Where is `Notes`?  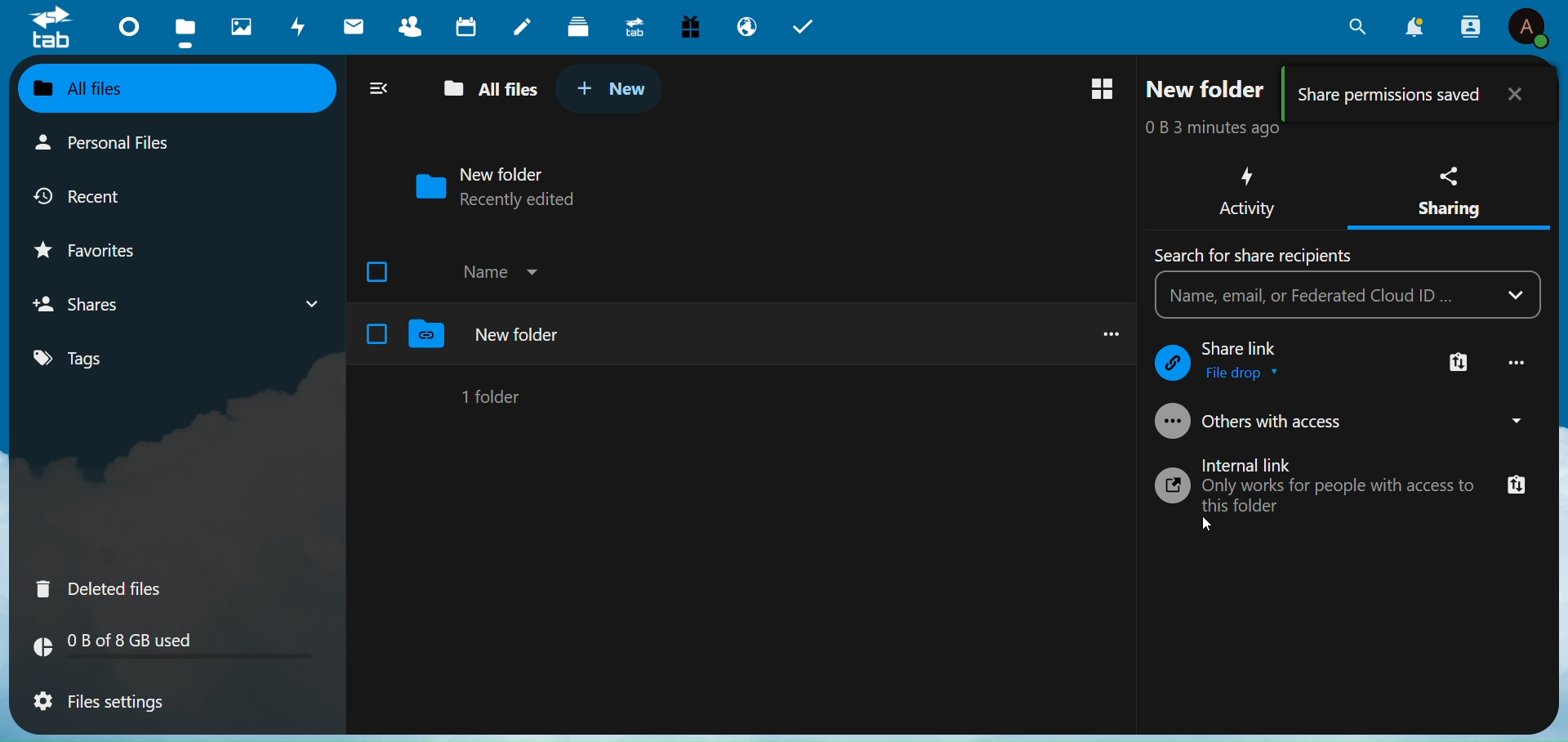 Notes is located at coordinates (520, 23).